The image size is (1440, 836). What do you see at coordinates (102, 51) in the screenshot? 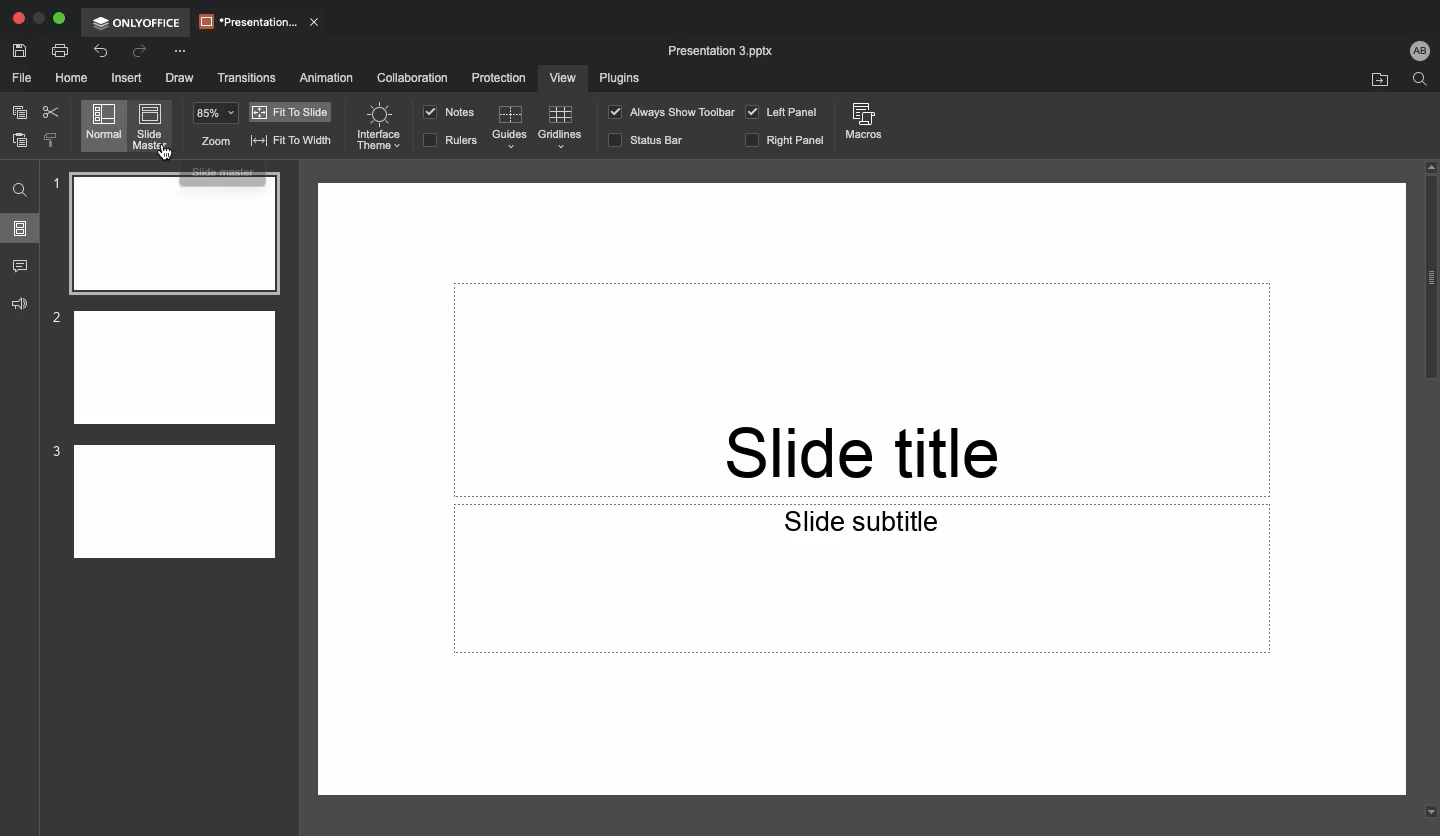
I see `Undo` at bounding box center [102, 51].